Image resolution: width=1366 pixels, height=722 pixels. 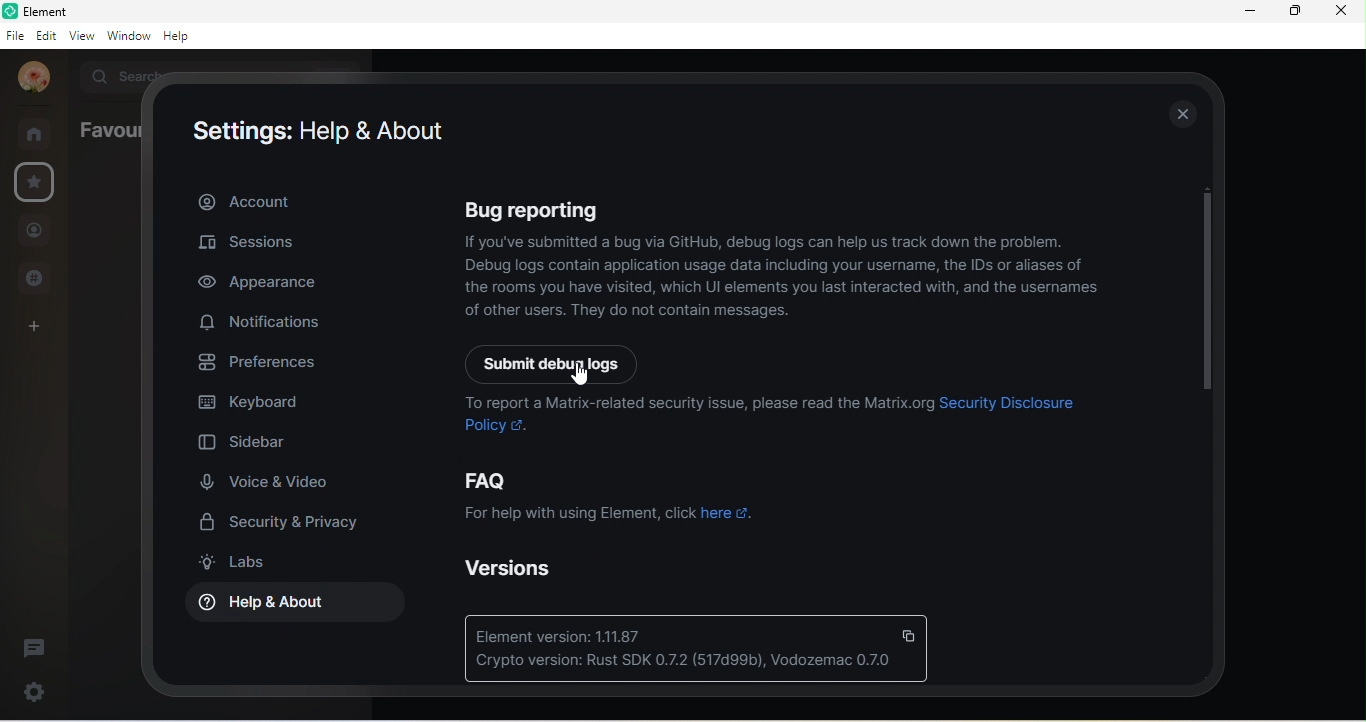 What do you see at coordinates (911, 635) in the screenshot?
I see `copy` at bounding box center [911, 635].